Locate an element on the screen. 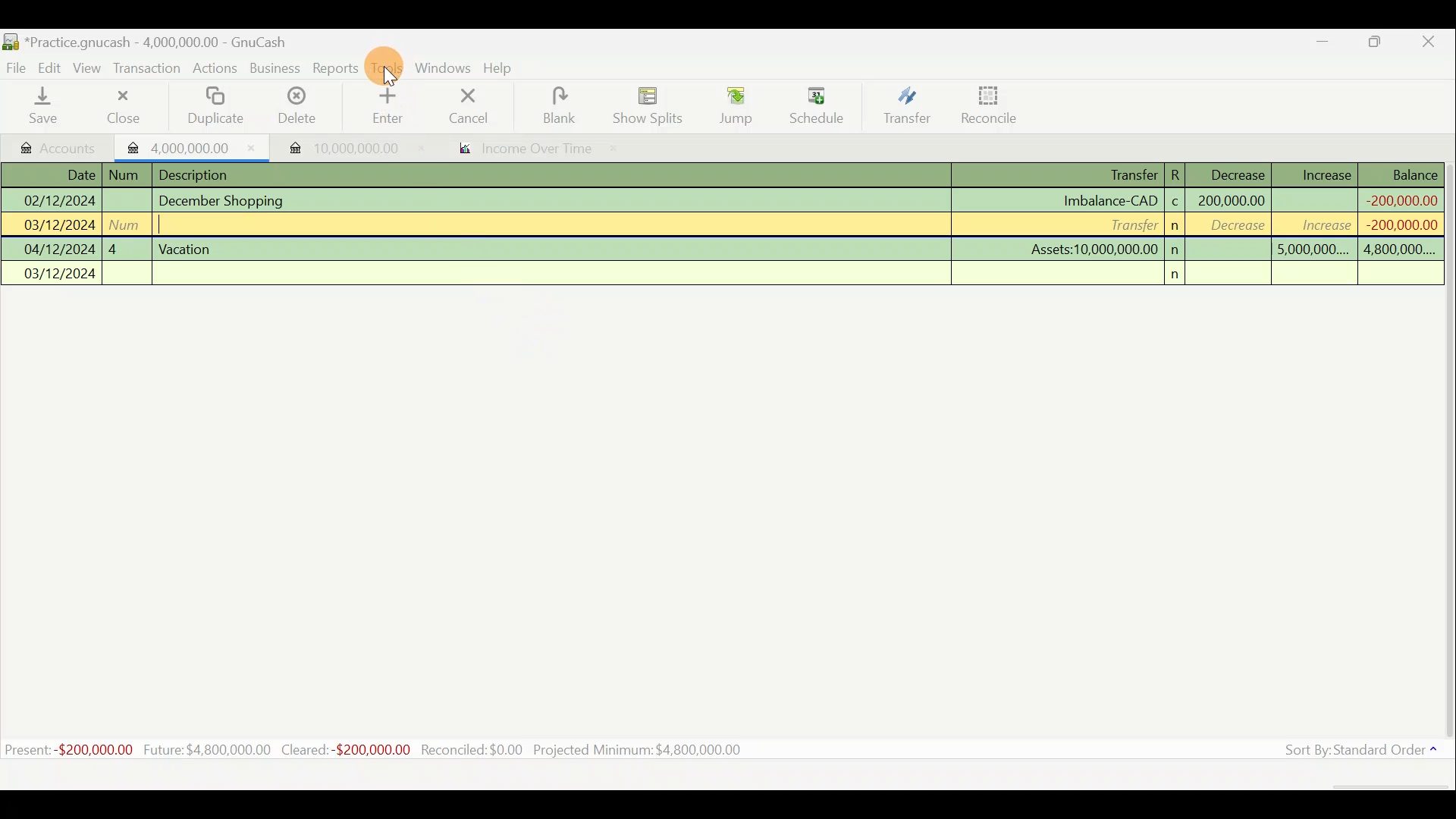 The height and width of the screenshot is (819, 1456). Actions is located at coordinates (217, 69).